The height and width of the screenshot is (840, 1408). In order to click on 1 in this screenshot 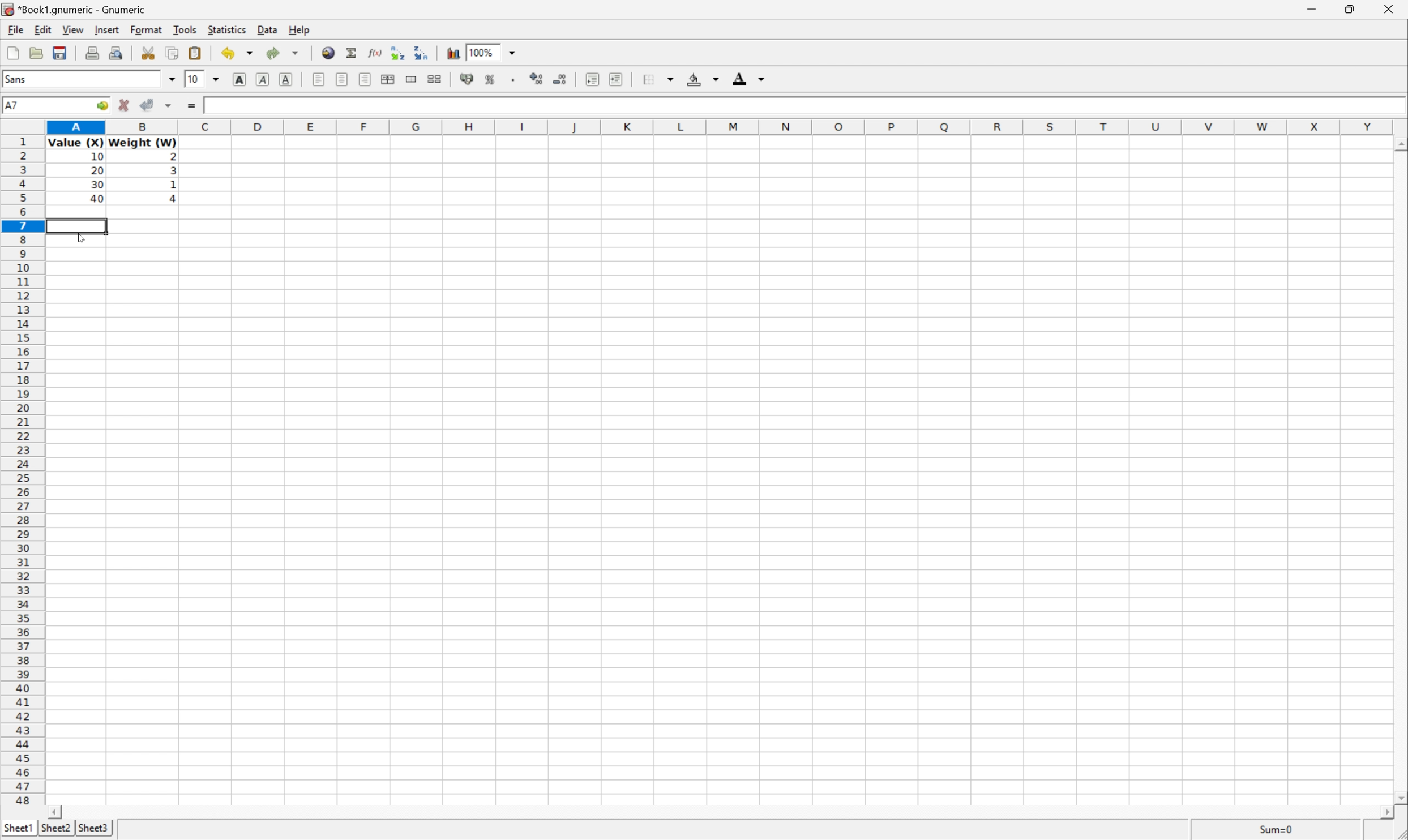, I will do `click(172, 185)`.